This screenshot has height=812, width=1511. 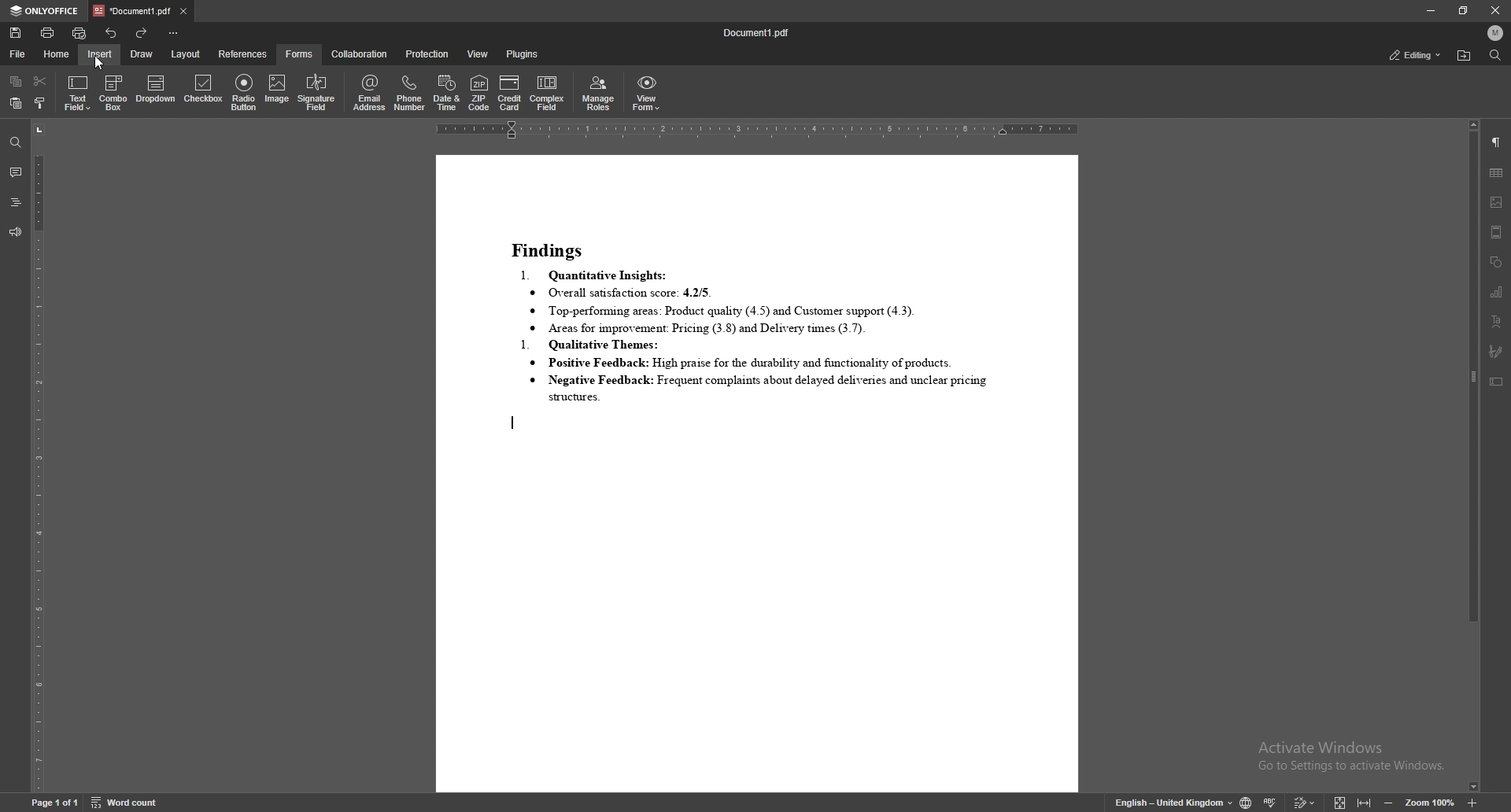 What do you see at coordinates (1413, 54) in the screenshot?
I see `status` at bounding box center [1413, 54].